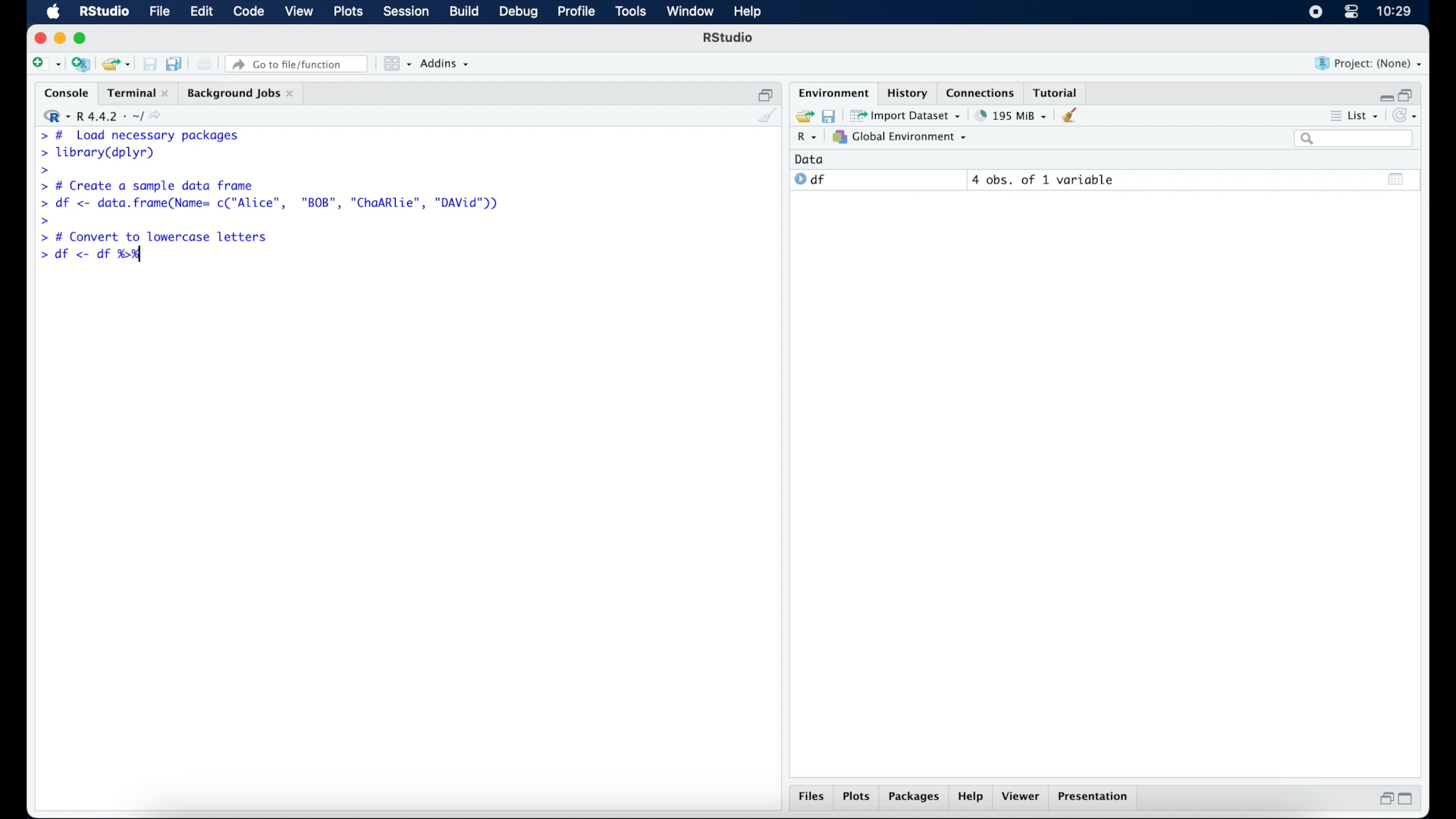 The width and height of the screenshot is (1456, 819). What do you see at coordinates (274, 204) in the screenshot?
I see `> df <- data.frame(Name= c("Alice", "BOB", "ChaARlie", "DAVid"))|` at bounding box center [274, 204].